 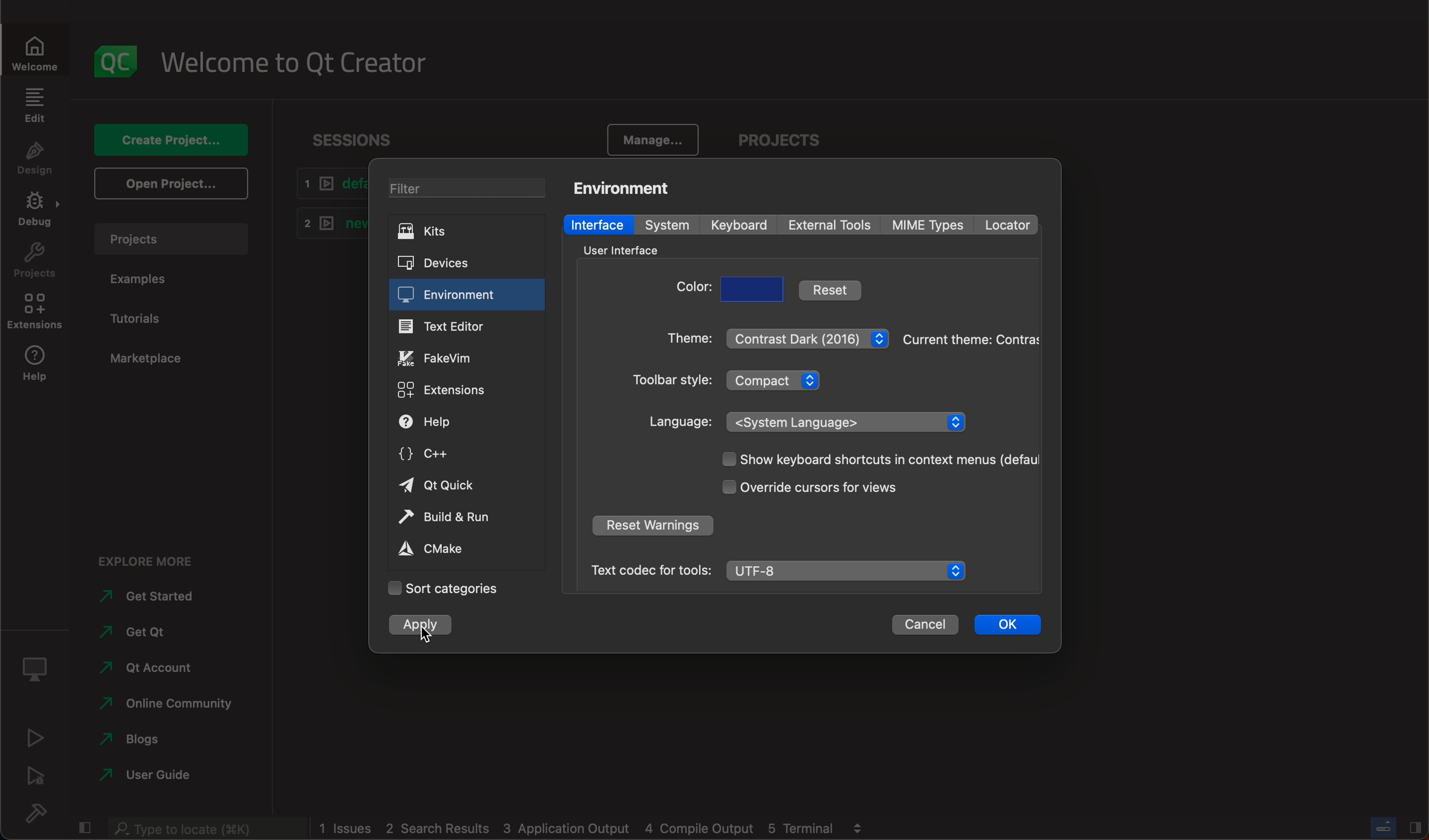 What do you see at coordinates (849, 571) in the screenshot?
I see `UTF-8` at bounding box center [849, 571].